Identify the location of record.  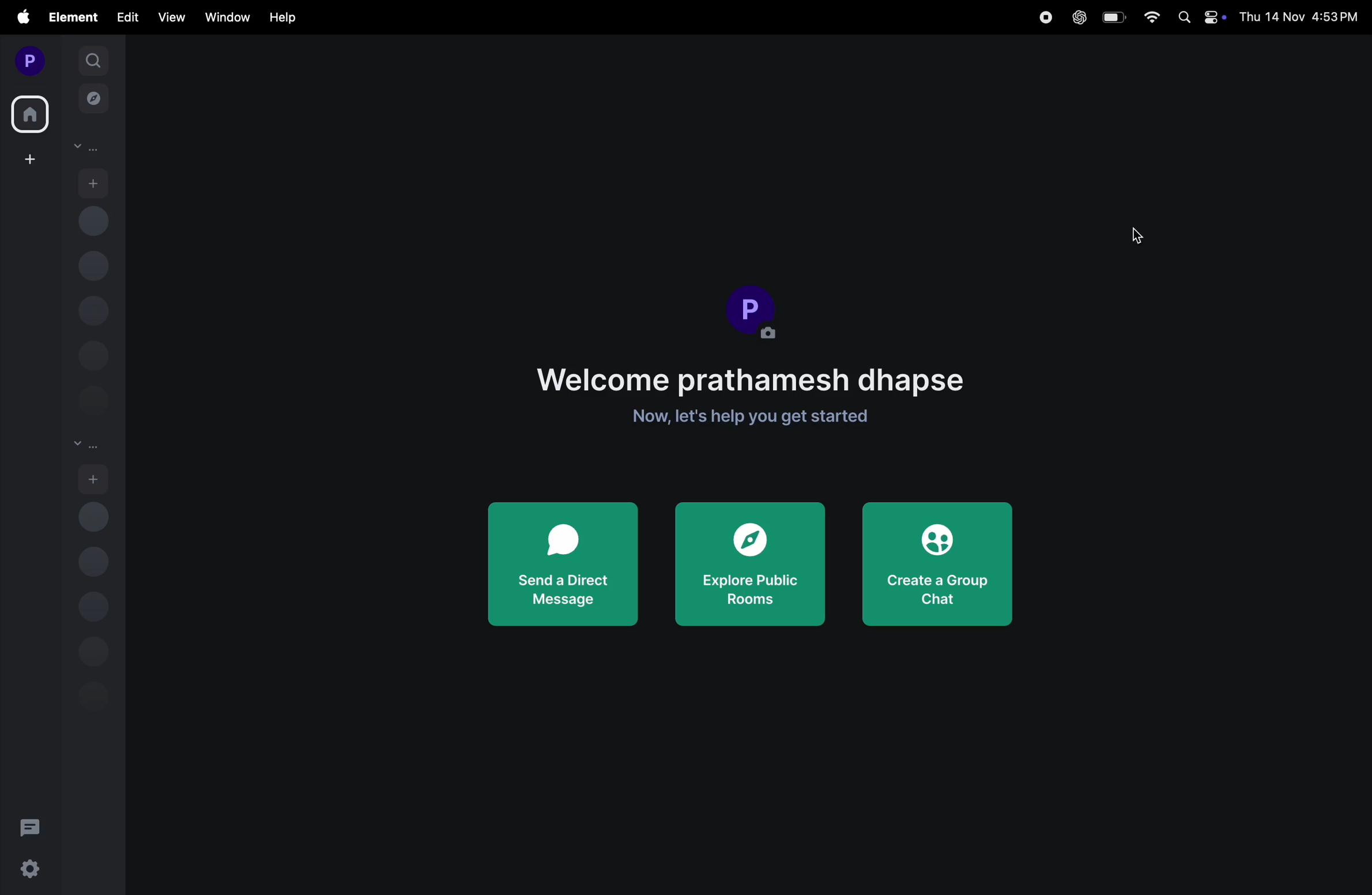
(1045, 17).